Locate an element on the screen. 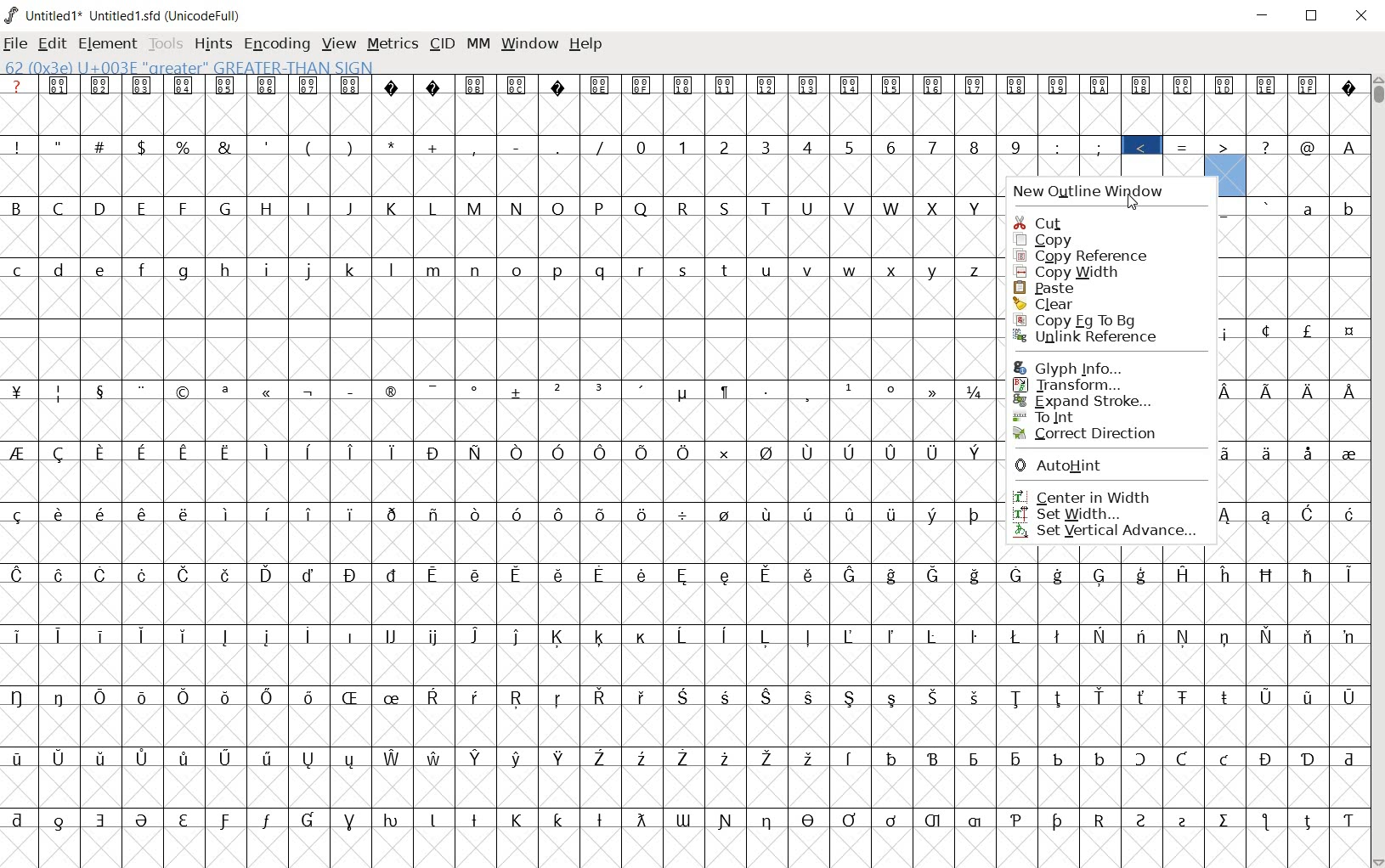 The width and height of the screenshot is (1385, 868). Glyph Info is located at coordinates (1088, 367).